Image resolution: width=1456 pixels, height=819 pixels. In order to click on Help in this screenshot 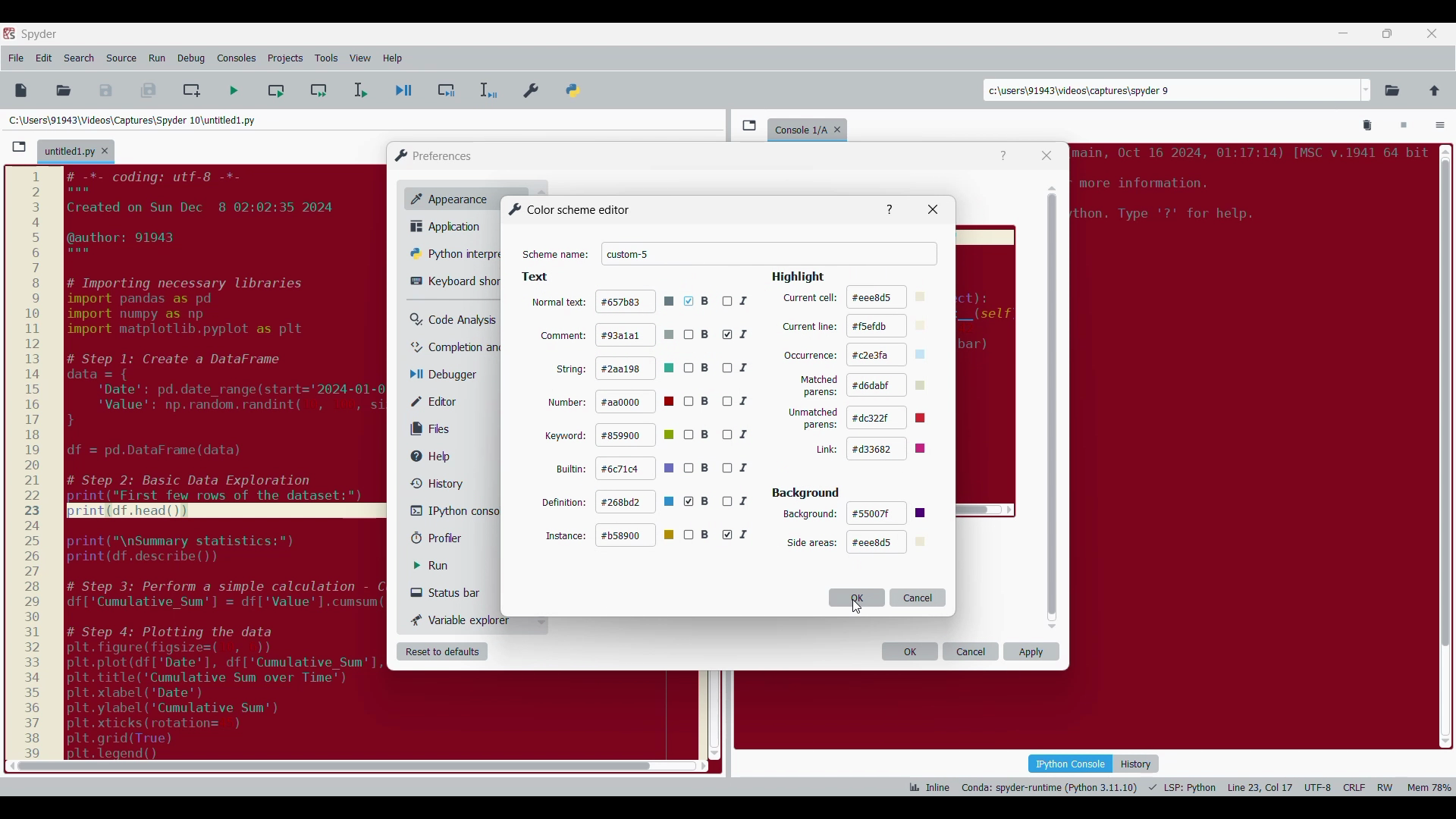, I will do `click(1003, 156)`.